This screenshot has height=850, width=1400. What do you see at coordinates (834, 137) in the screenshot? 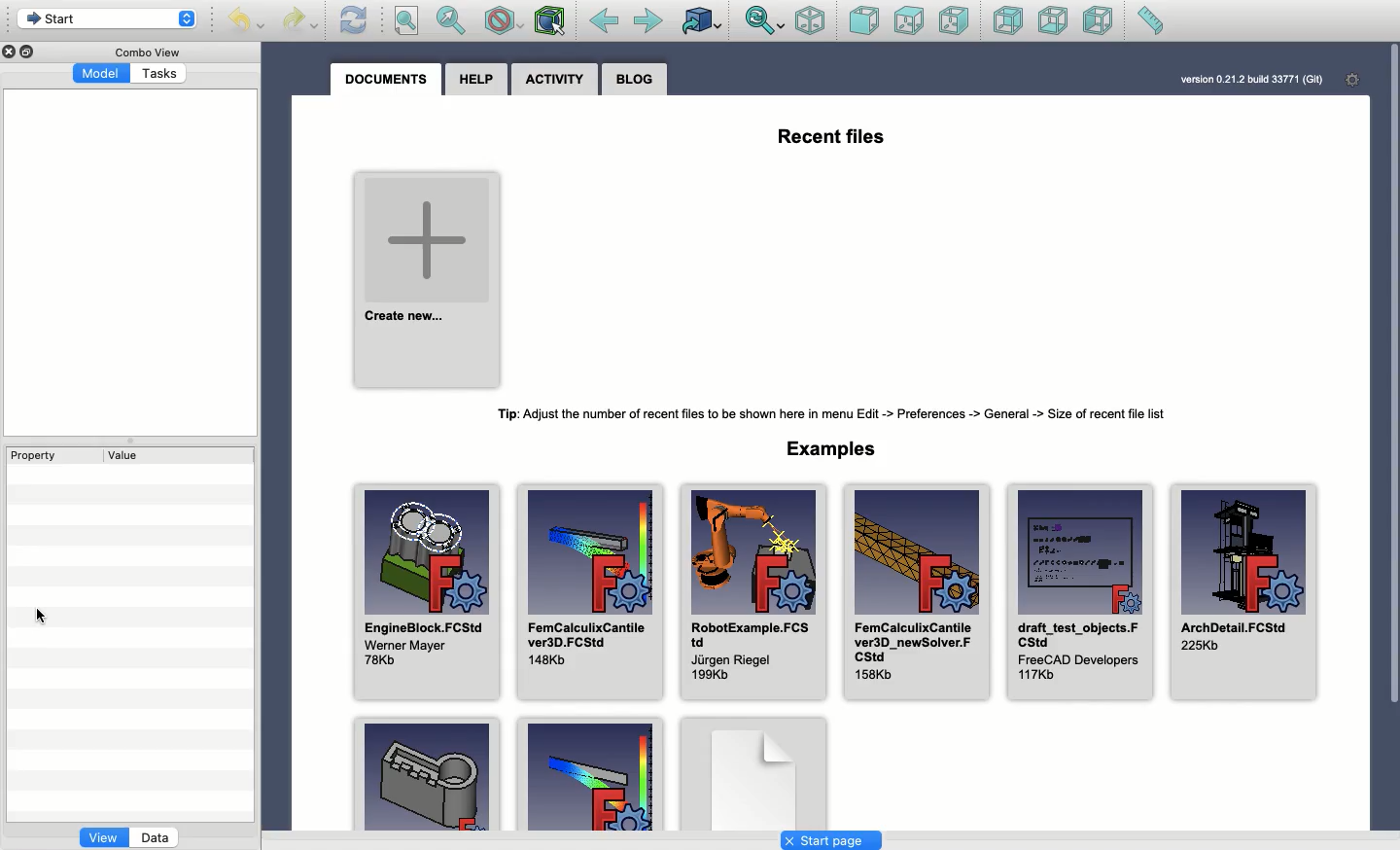
I see `Recent files` at bounding box center [834, 137].